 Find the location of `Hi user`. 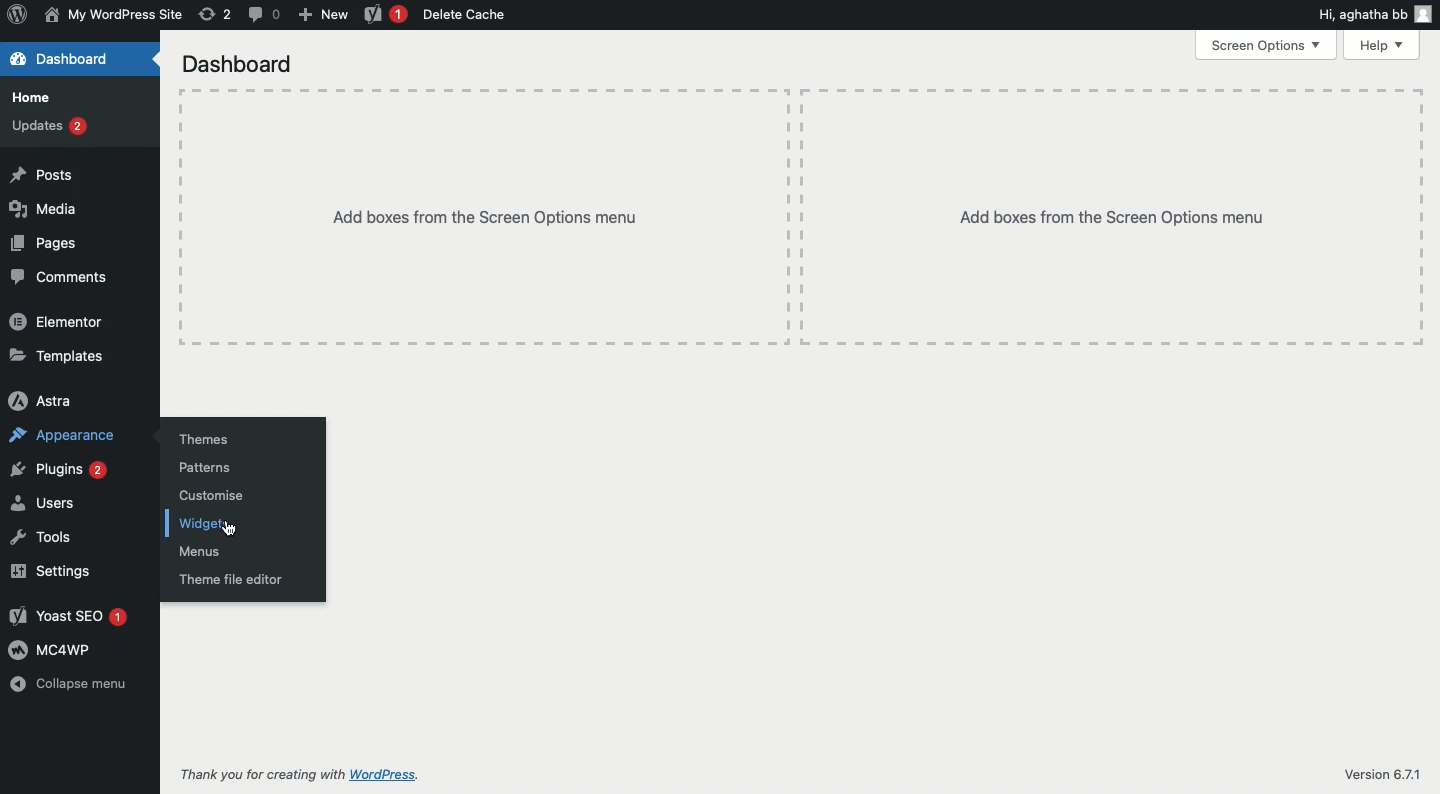

Hi user is located at coordinates (1373, 14).